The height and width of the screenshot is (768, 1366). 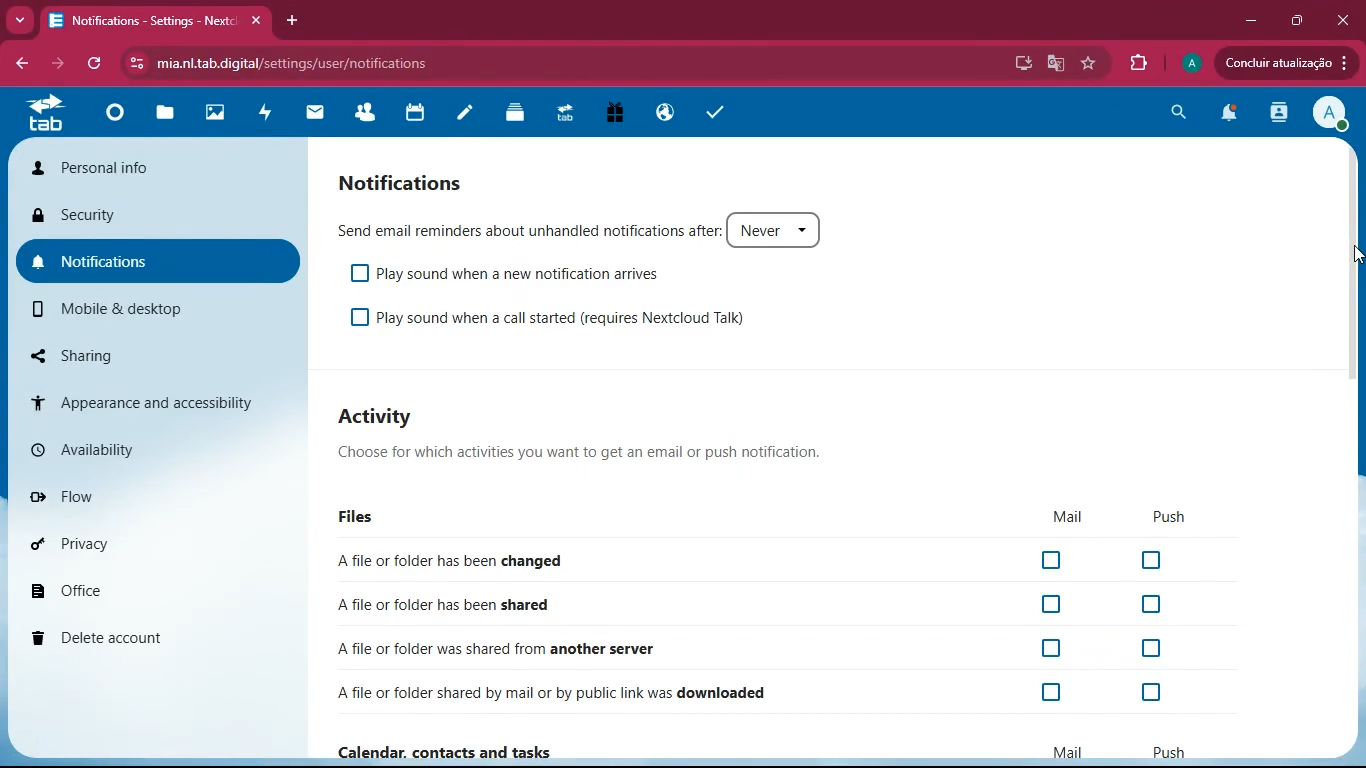 I want to click on Calendar, contacts and tasks, so click(x=758, y=750).